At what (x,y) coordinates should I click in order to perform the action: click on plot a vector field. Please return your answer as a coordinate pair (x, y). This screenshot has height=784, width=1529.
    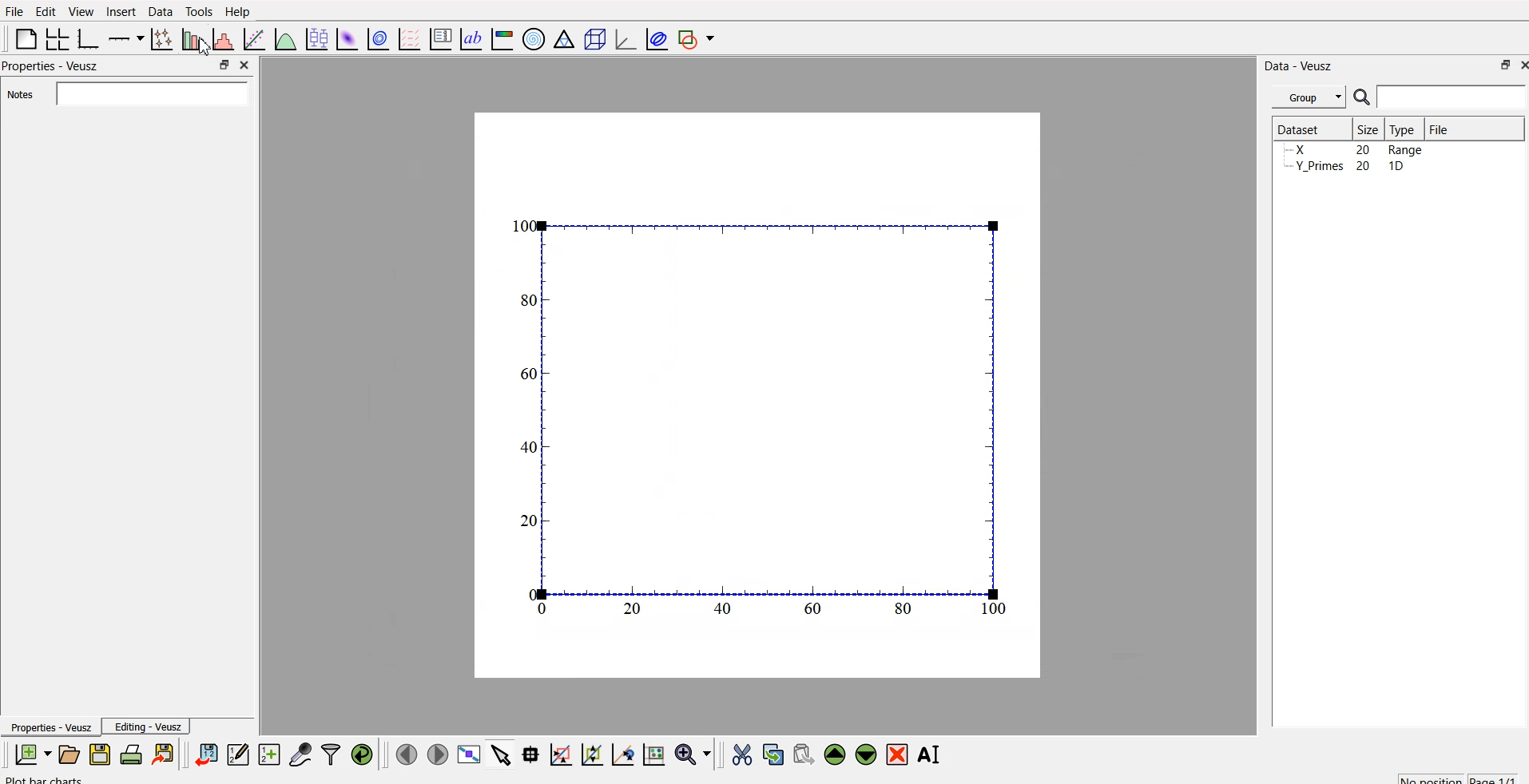
    Looking at the image, I should click on (411, 38).